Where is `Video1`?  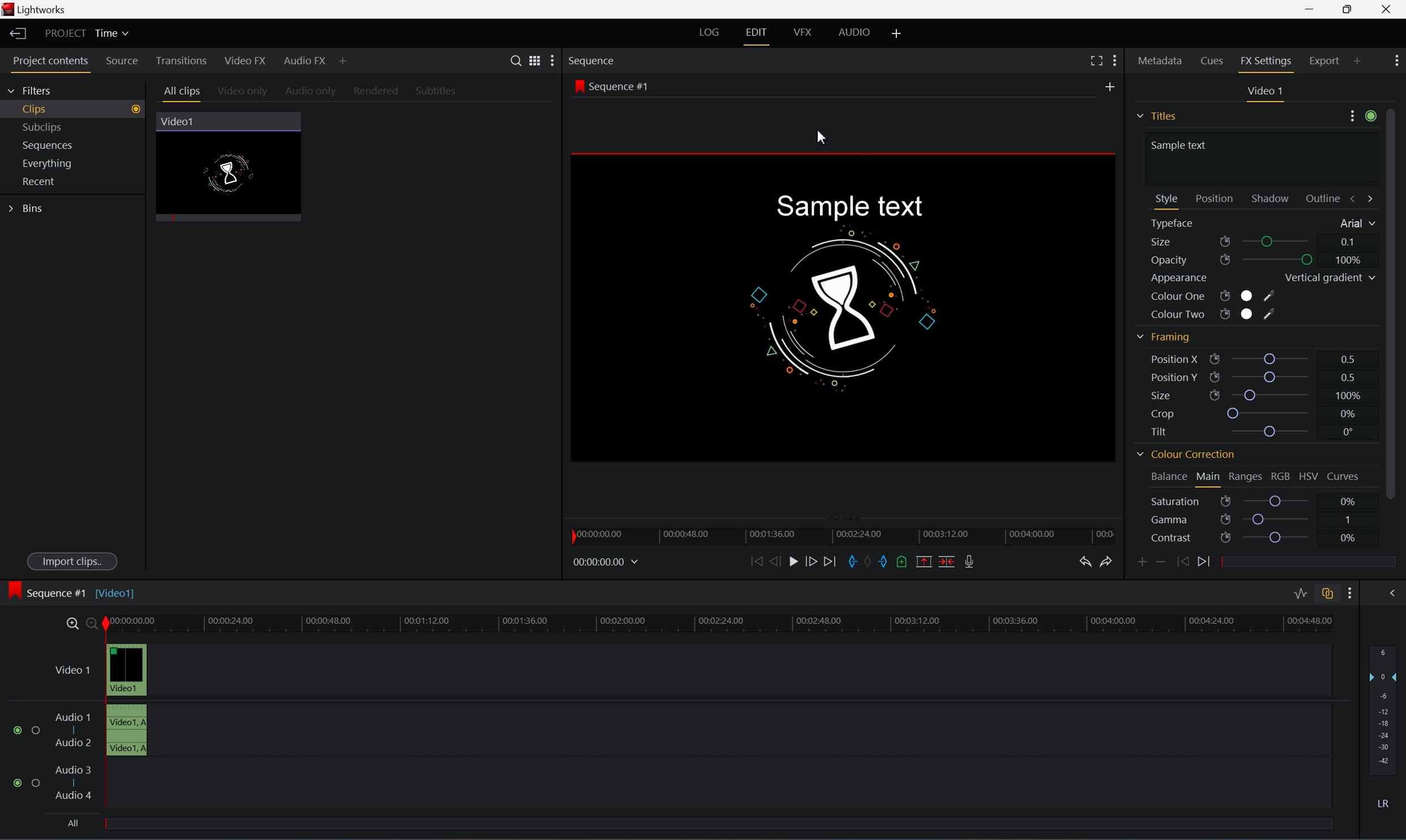 Video1 is located at coordinates (118, 593).